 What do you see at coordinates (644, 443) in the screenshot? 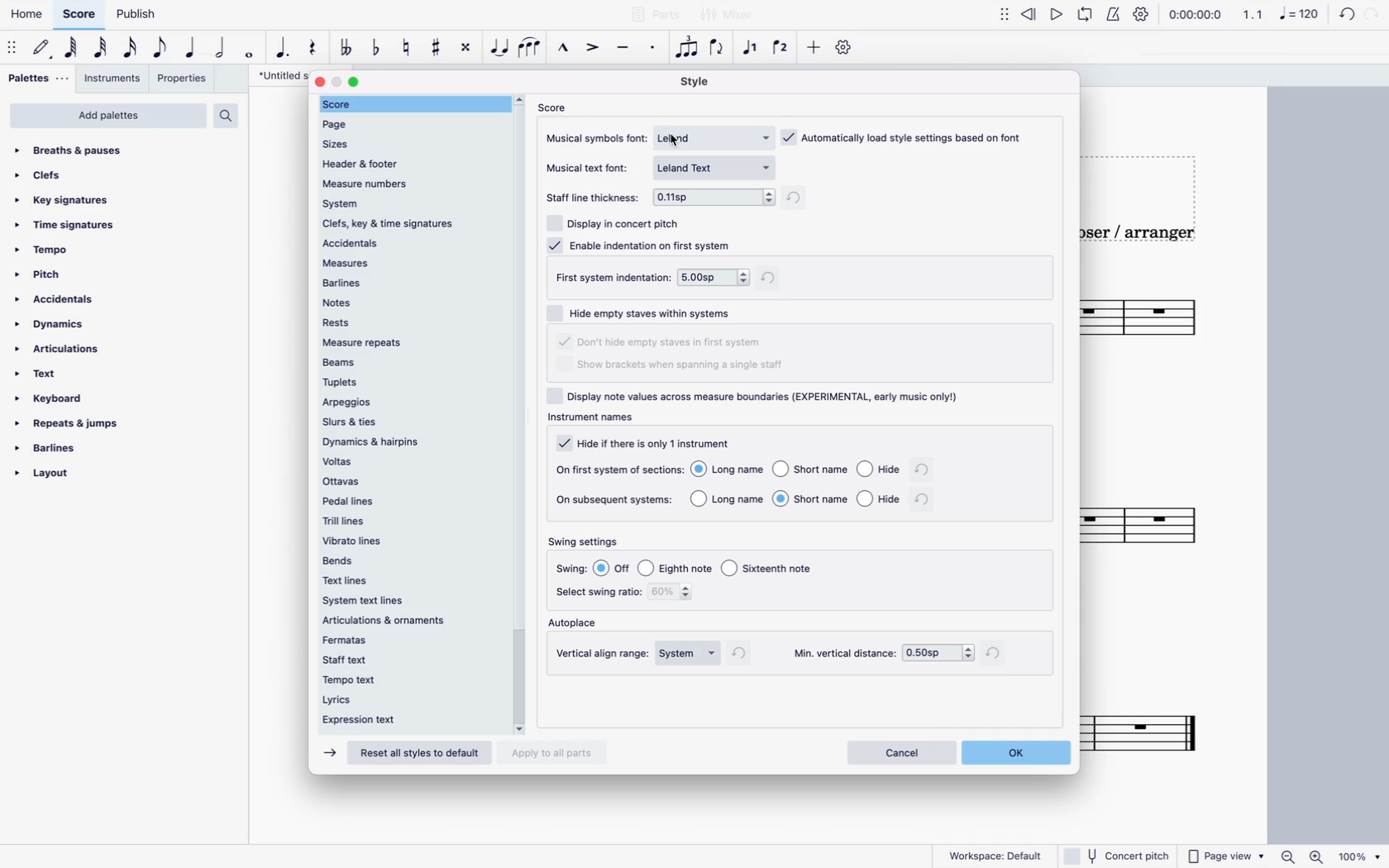
I see `hide` at bounding box center [644, 443].